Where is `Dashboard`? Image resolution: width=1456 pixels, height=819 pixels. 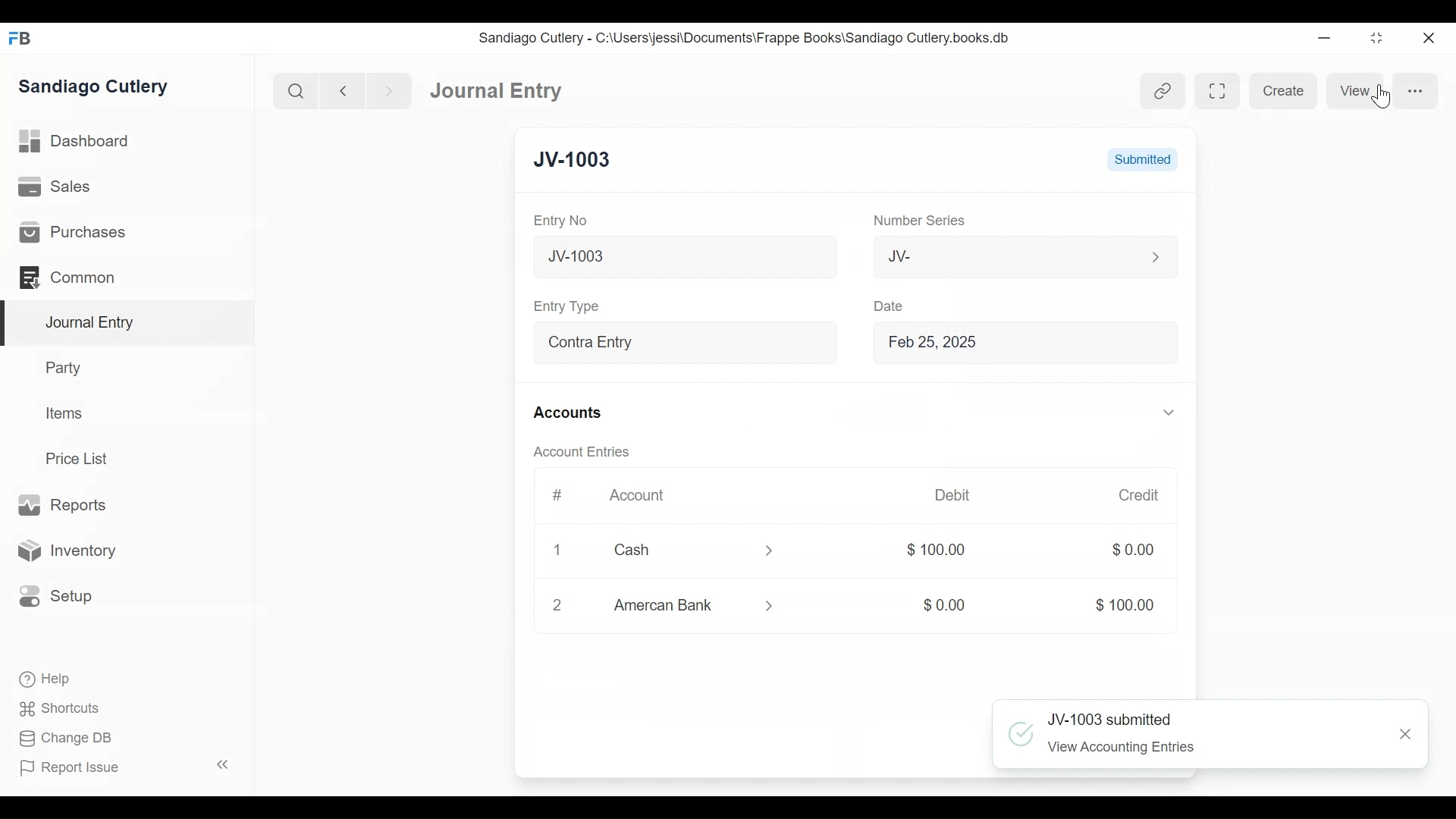
Dashboard is located at coordinates (80, 143).